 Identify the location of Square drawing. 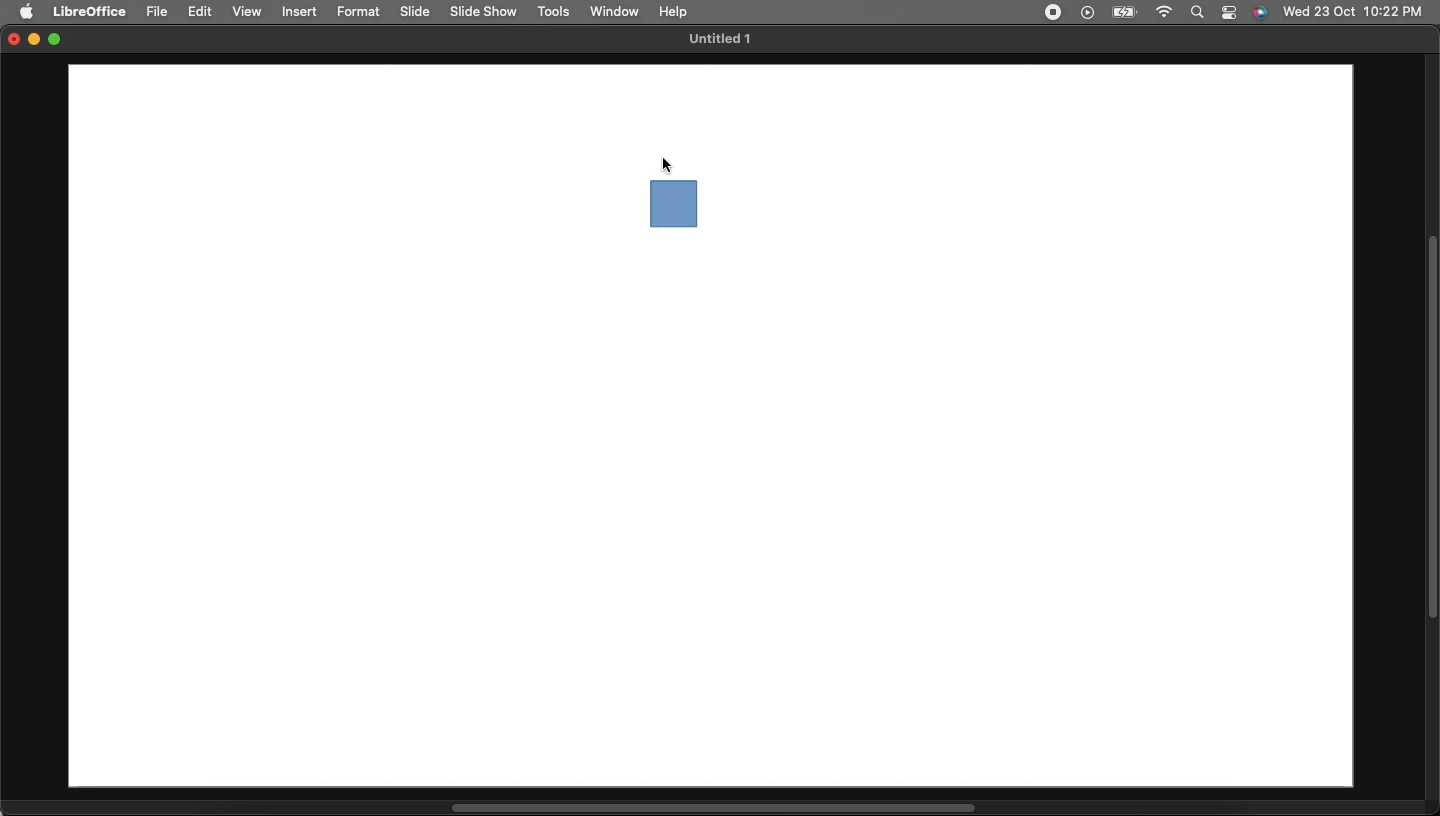
(680, 199).